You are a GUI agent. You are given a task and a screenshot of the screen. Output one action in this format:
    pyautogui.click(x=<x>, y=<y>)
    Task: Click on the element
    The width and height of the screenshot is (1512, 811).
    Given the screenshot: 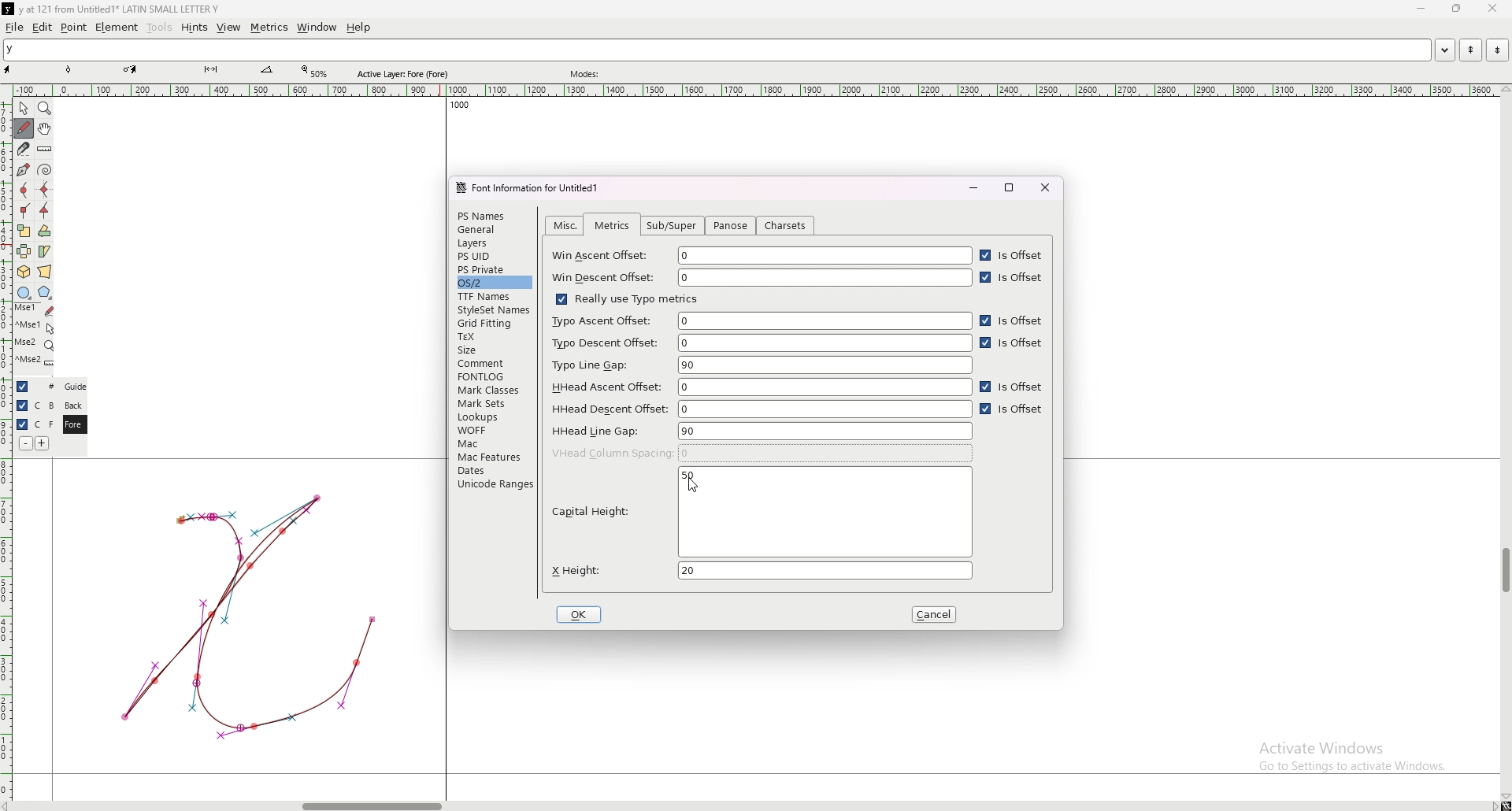 What is the action you would take?
    pyautogui.click(x=117, y=27)
    